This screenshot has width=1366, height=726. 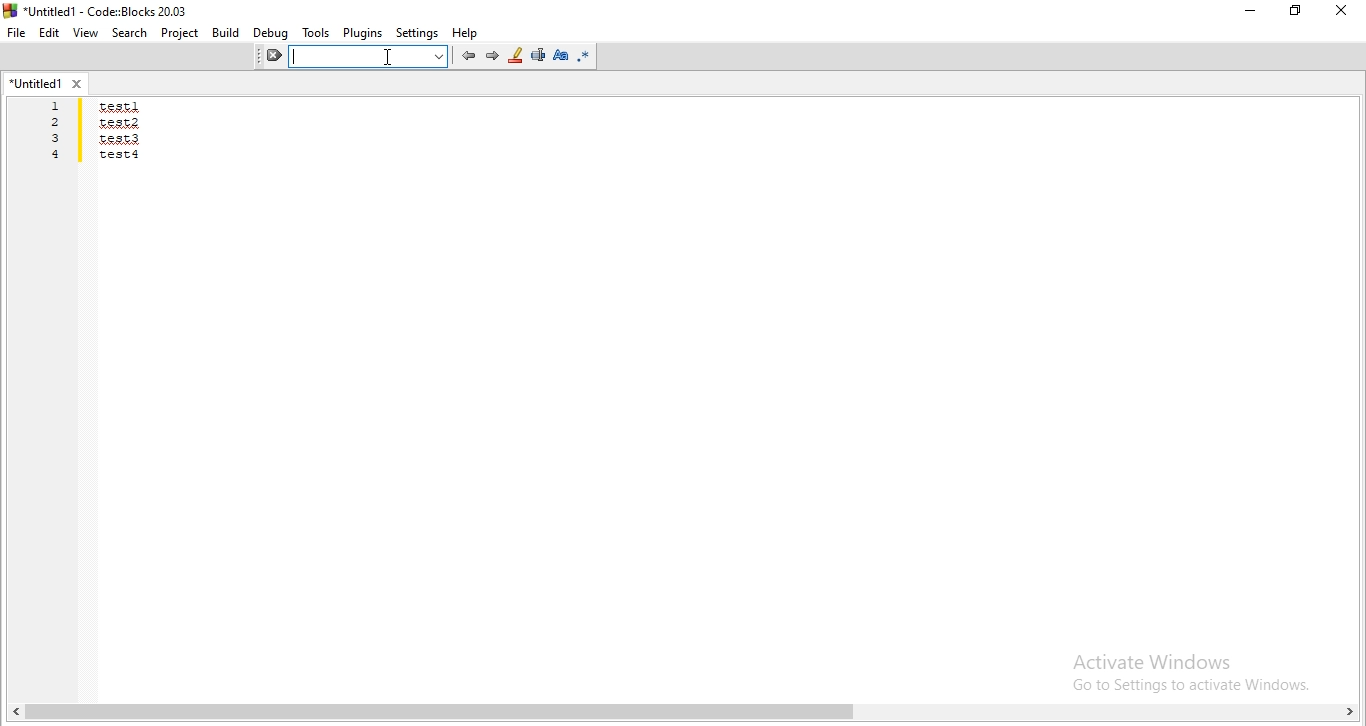 What do you see at coordinates (1295, 13) in the screenshot?
I see `Restore` at bounding box center [1295, 13].